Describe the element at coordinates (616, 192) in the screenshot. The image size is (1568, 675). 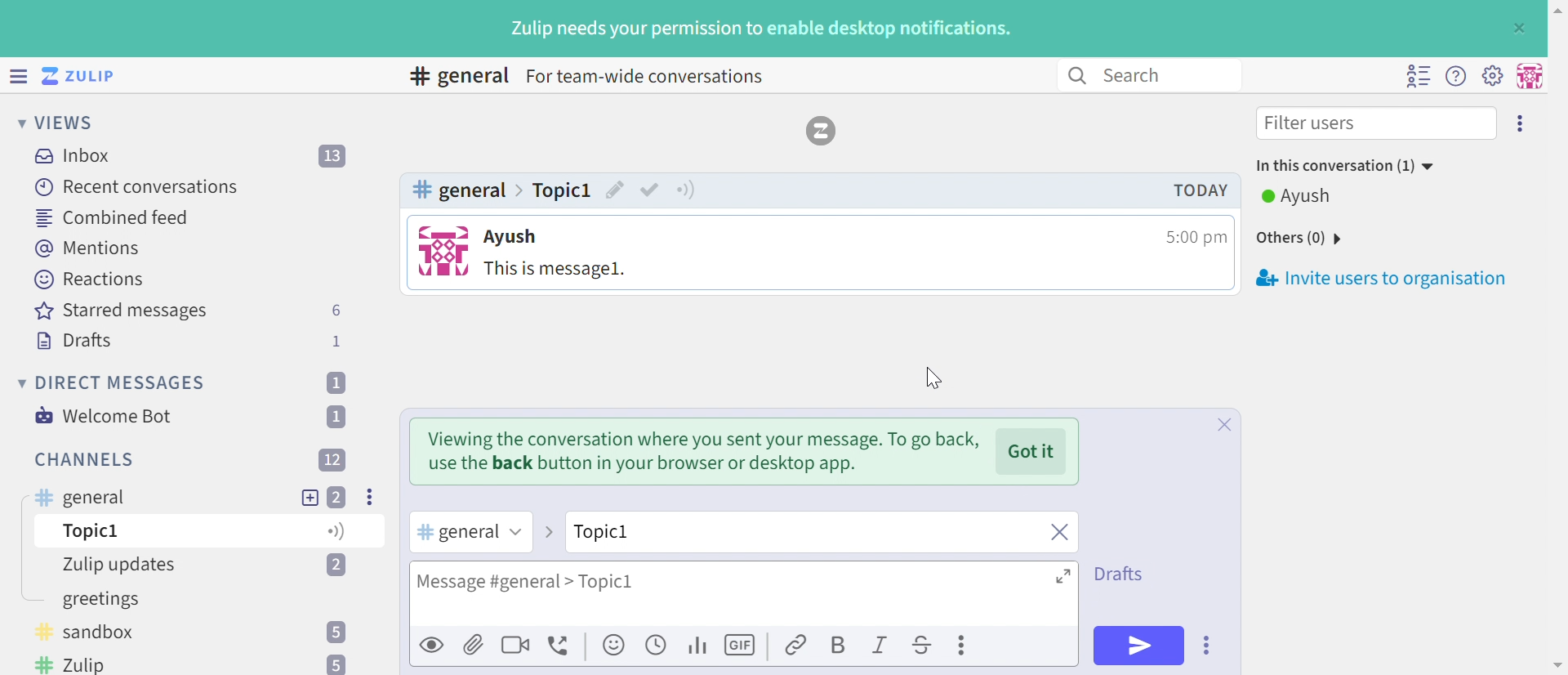
I see `Edit topic` at that location.